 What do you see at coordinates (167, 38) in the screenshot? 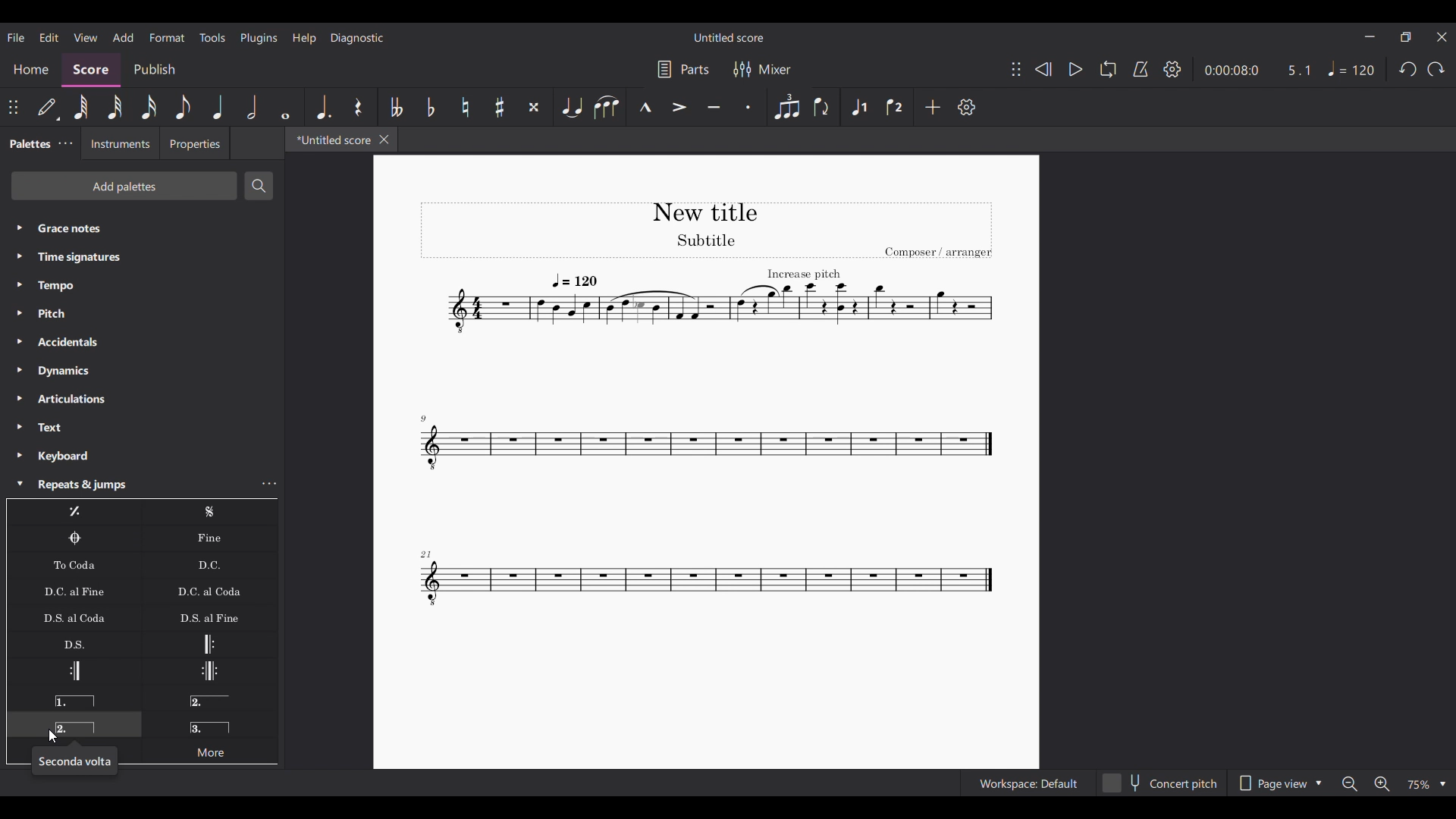
I see `Format menu` at bounding box center [167, 38].